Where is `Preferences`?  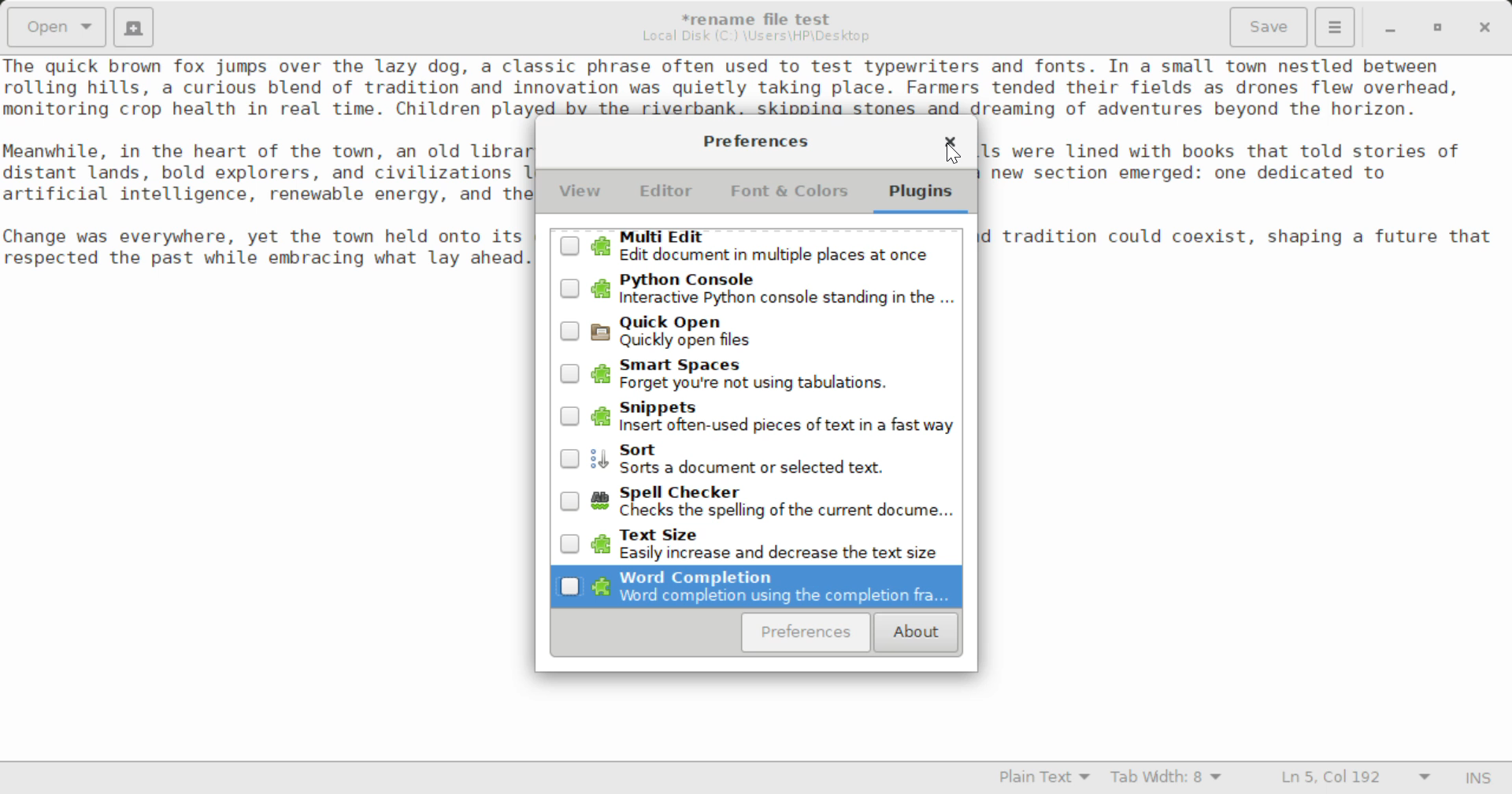 Preferences is located at coordinates (806, 633).